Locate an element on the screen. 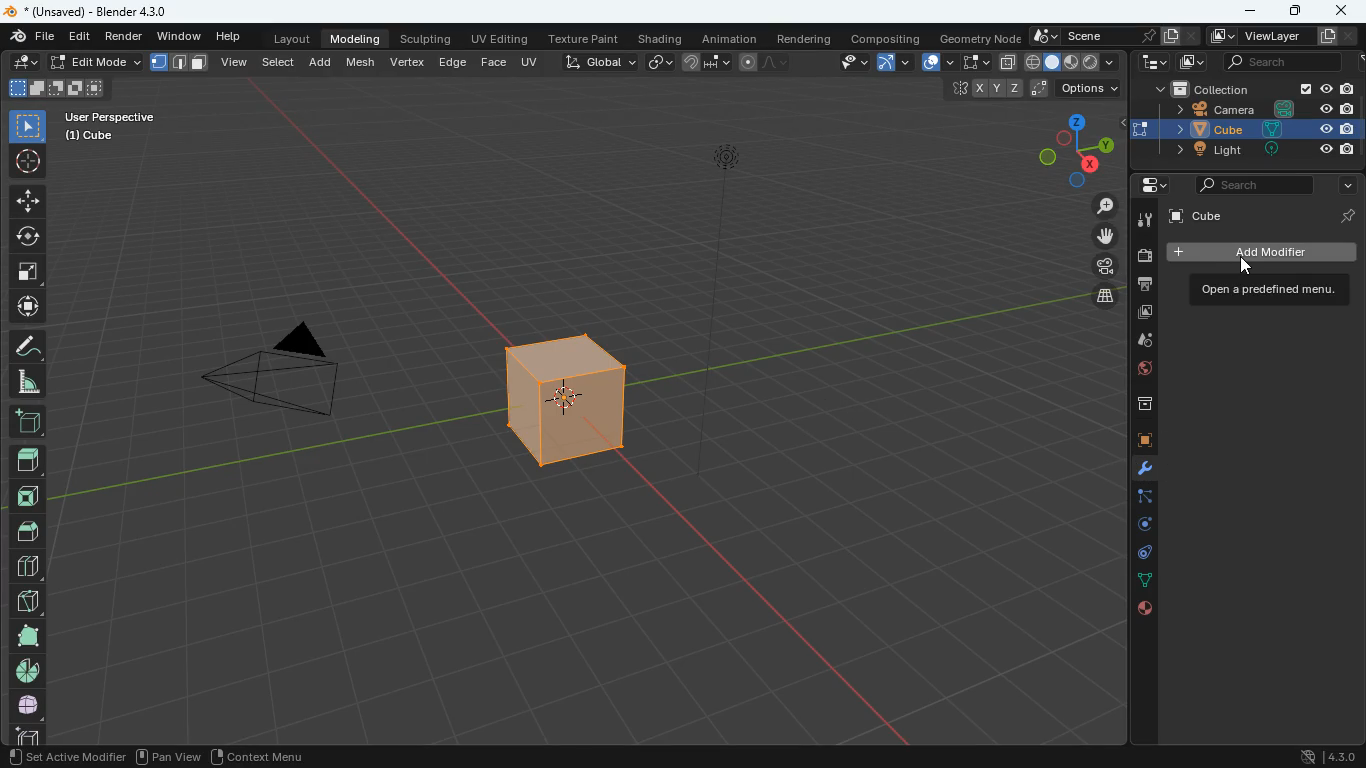 The image size is (1366, 768). vertex is located at coordinates (409, 63).